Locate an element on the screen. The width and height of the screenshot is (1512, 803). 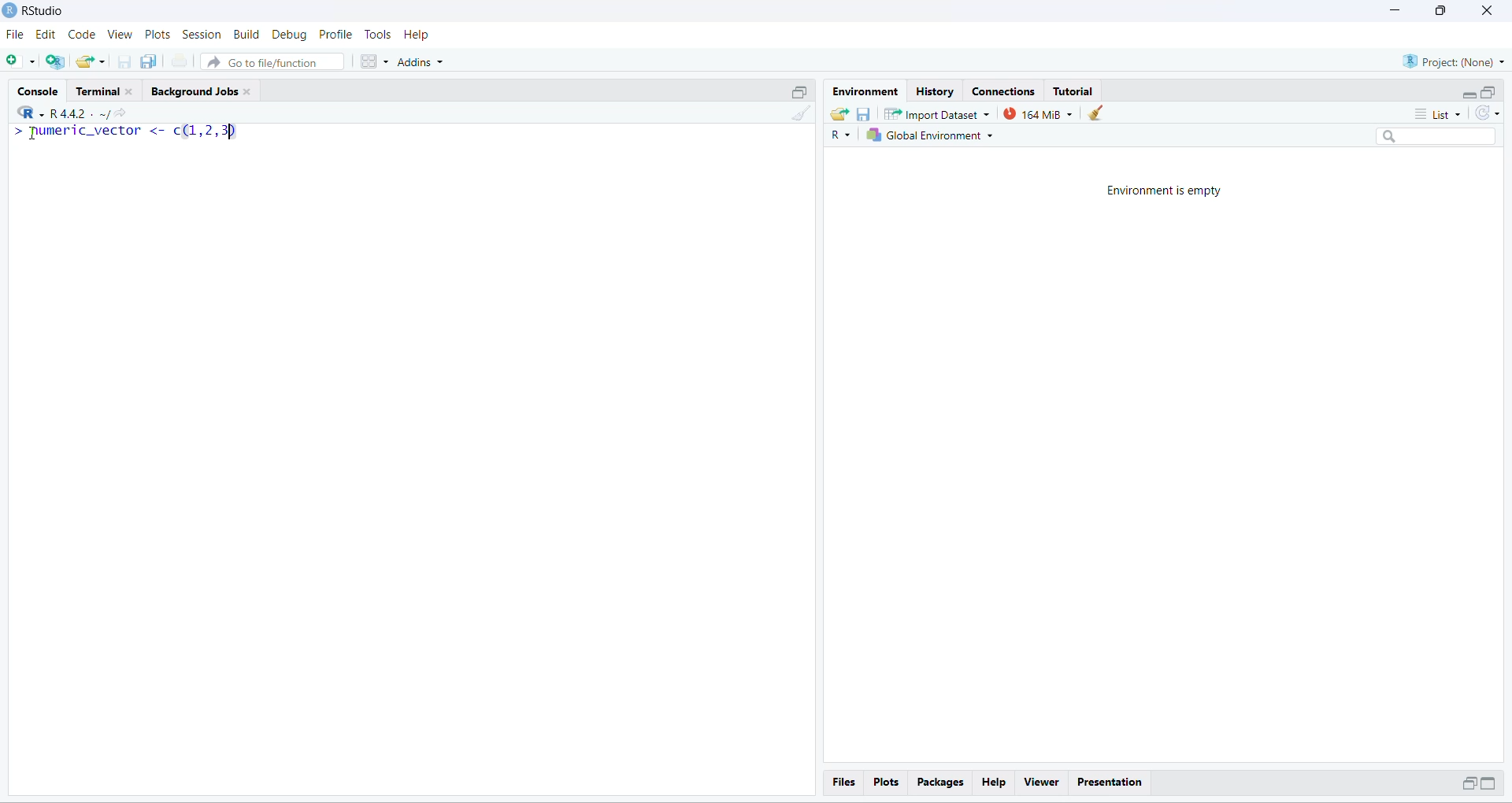
R is located at coordinates (839, 135).